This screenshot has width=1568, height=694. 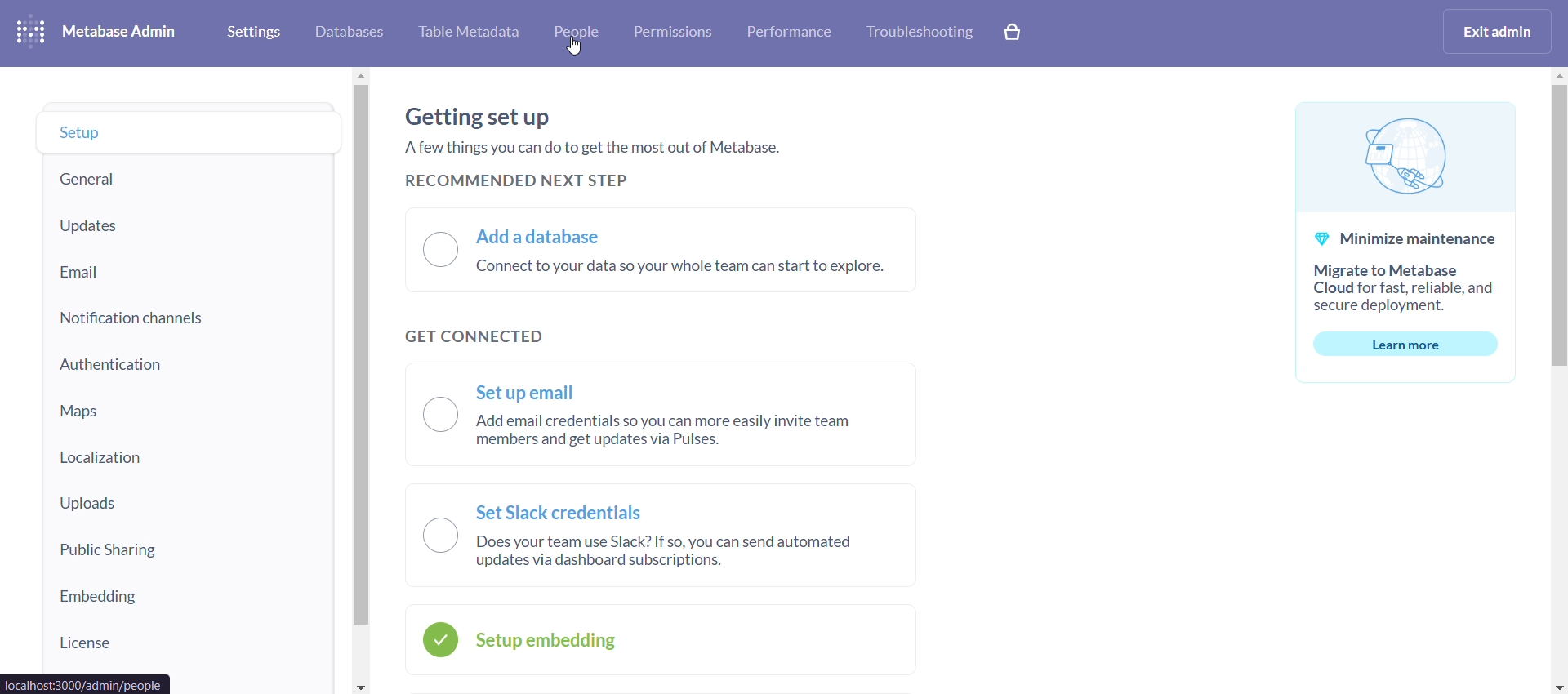 I want to click on add a database, so click(x=653, y=249).